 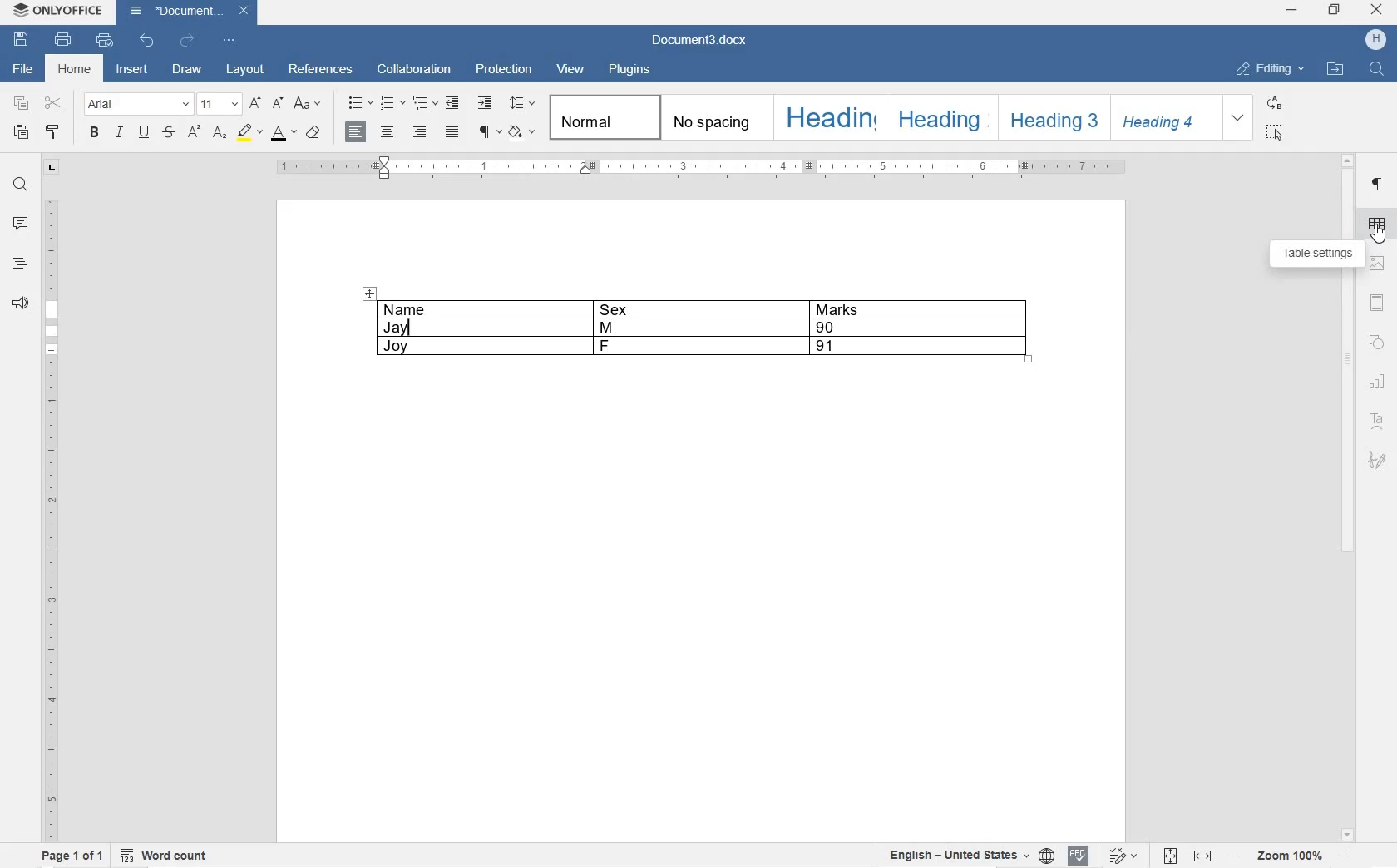 I want to click on FONT COLOR, so click(x=284, y=136).